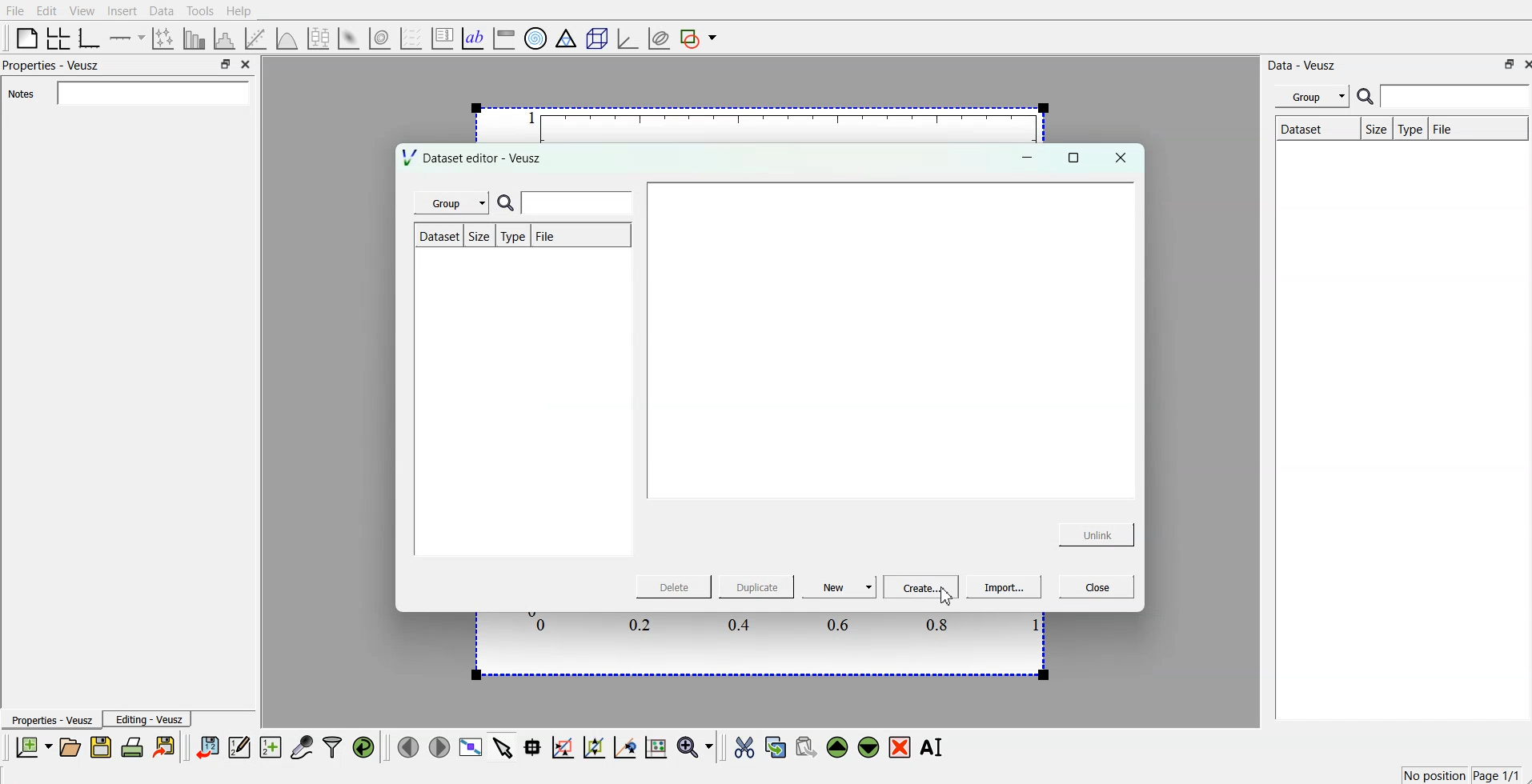 Image resolution: width=1532 pixels, height=784 pixels. I want to click on Help, so click(239, 12).